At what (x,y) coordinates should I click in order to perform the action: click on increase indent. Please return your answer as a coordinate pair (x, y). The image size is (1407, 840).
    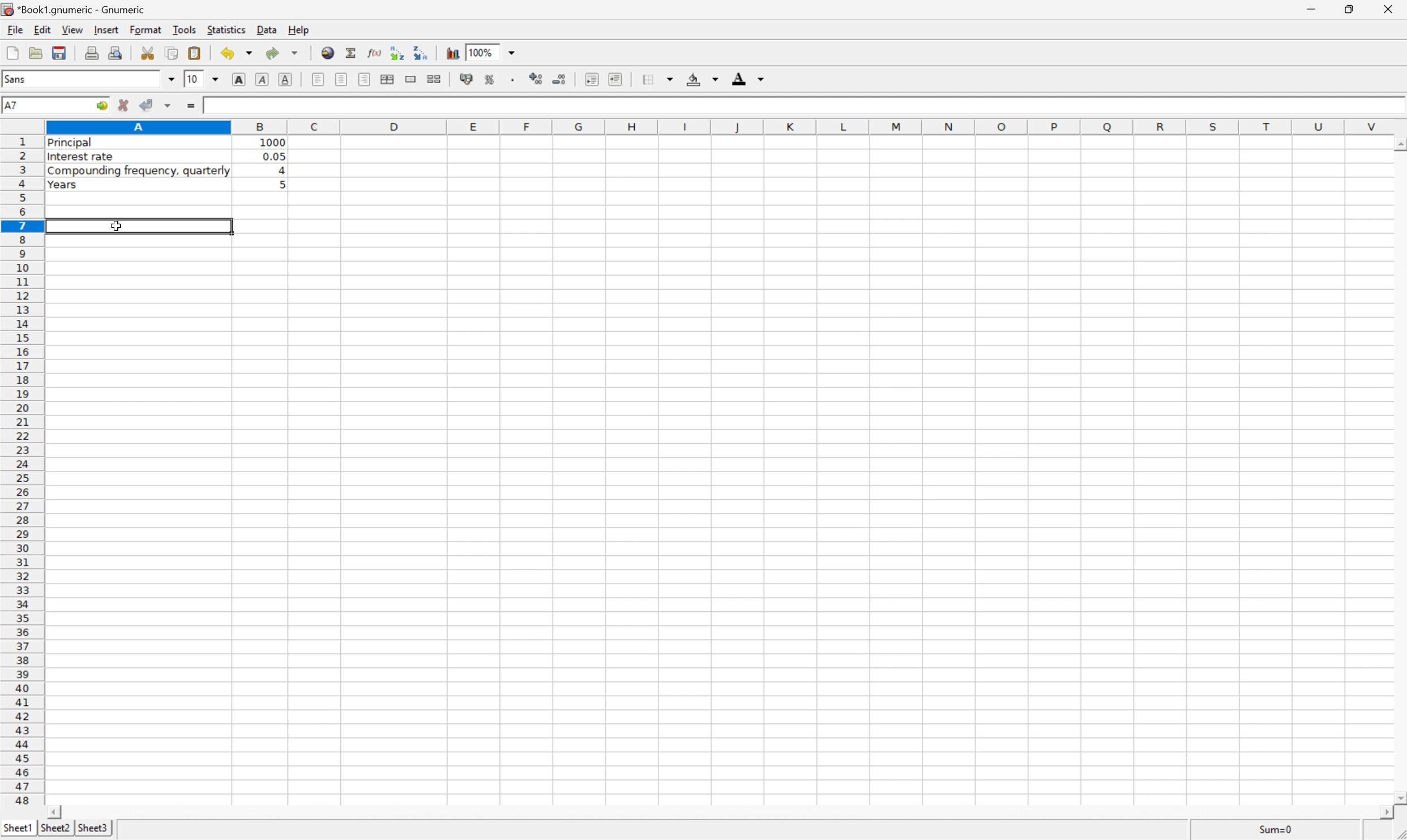
    Looking at the image, I should click on (617, 79).